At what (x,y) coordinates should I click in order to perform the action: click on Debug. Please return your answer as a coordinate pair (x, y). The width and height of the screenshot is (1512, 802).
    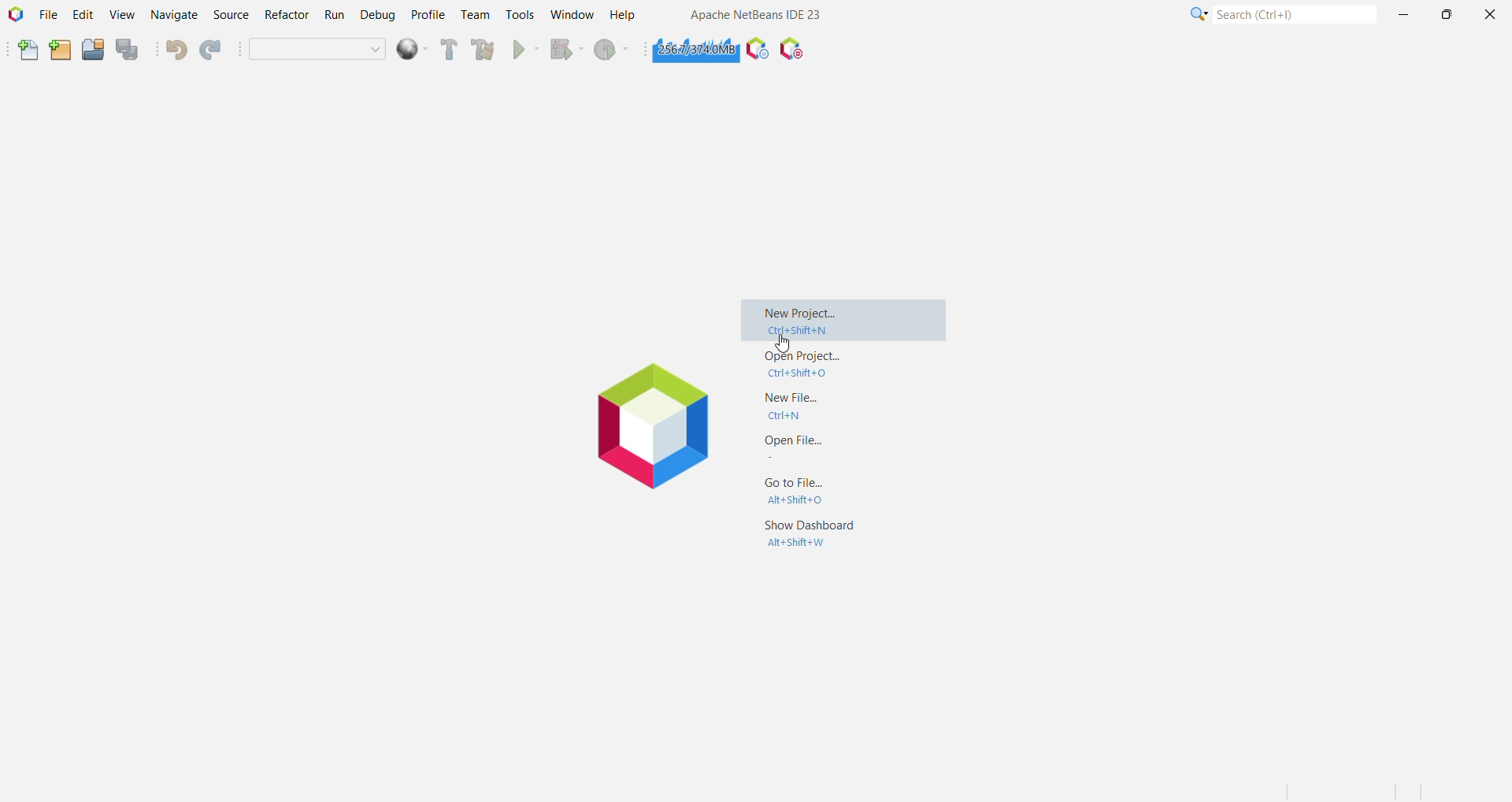
    Looking at the image, I should click on (377, 16).